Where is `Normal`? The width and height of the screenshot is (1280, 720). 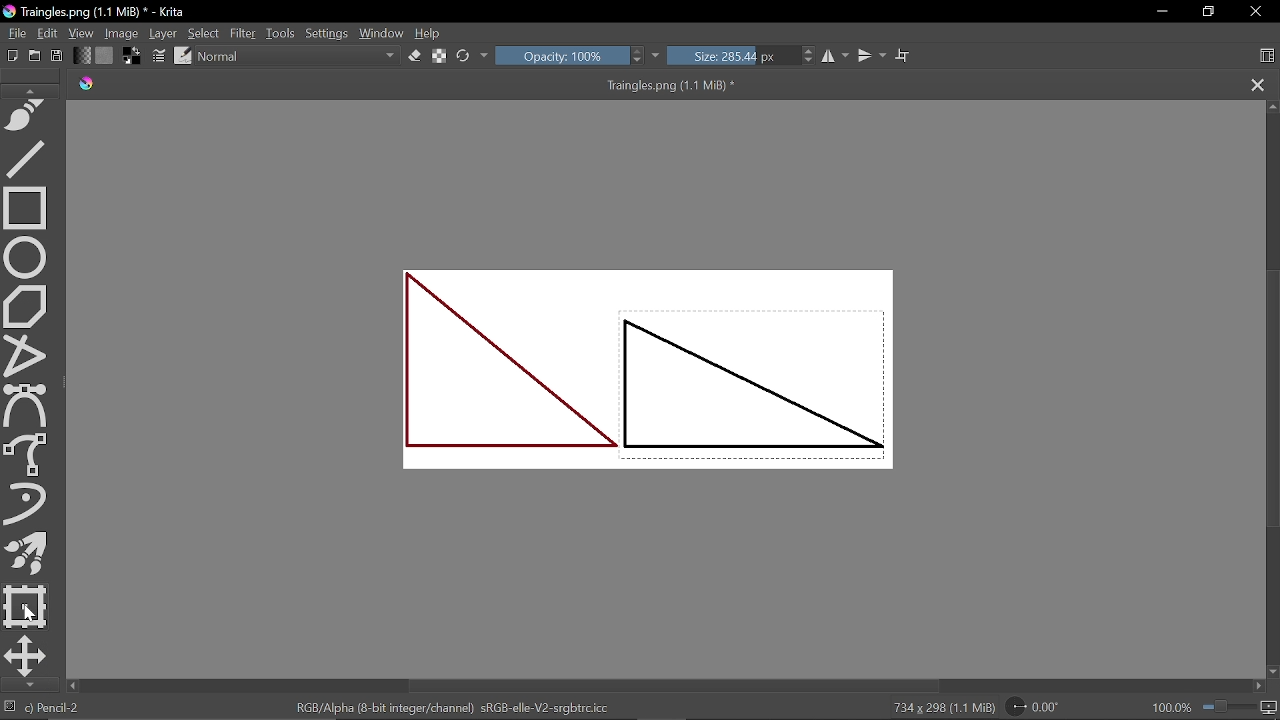
Normal is located at coordinates (299, 58).